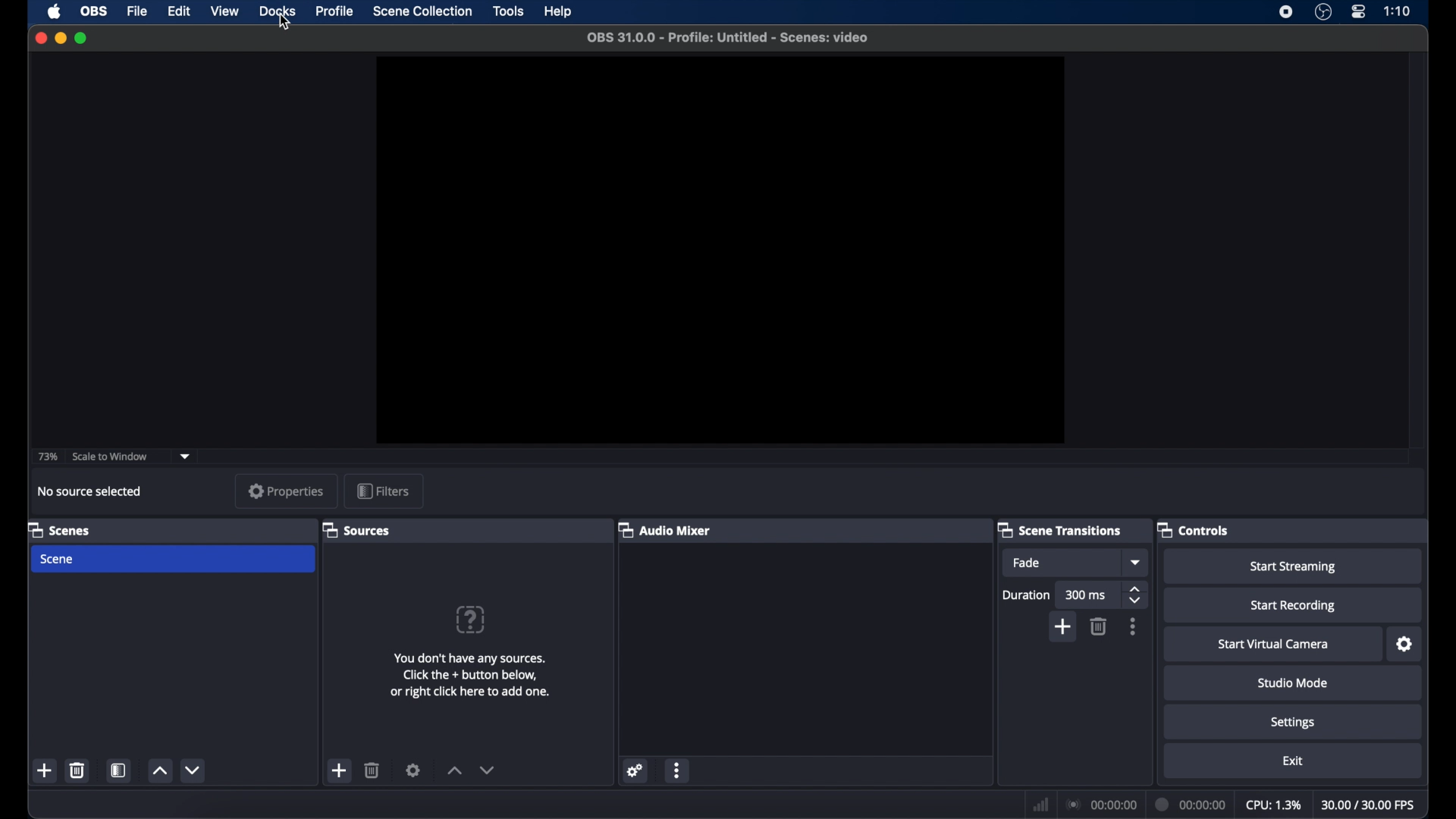  I want to click on scene transitions, so click(1060, 529).